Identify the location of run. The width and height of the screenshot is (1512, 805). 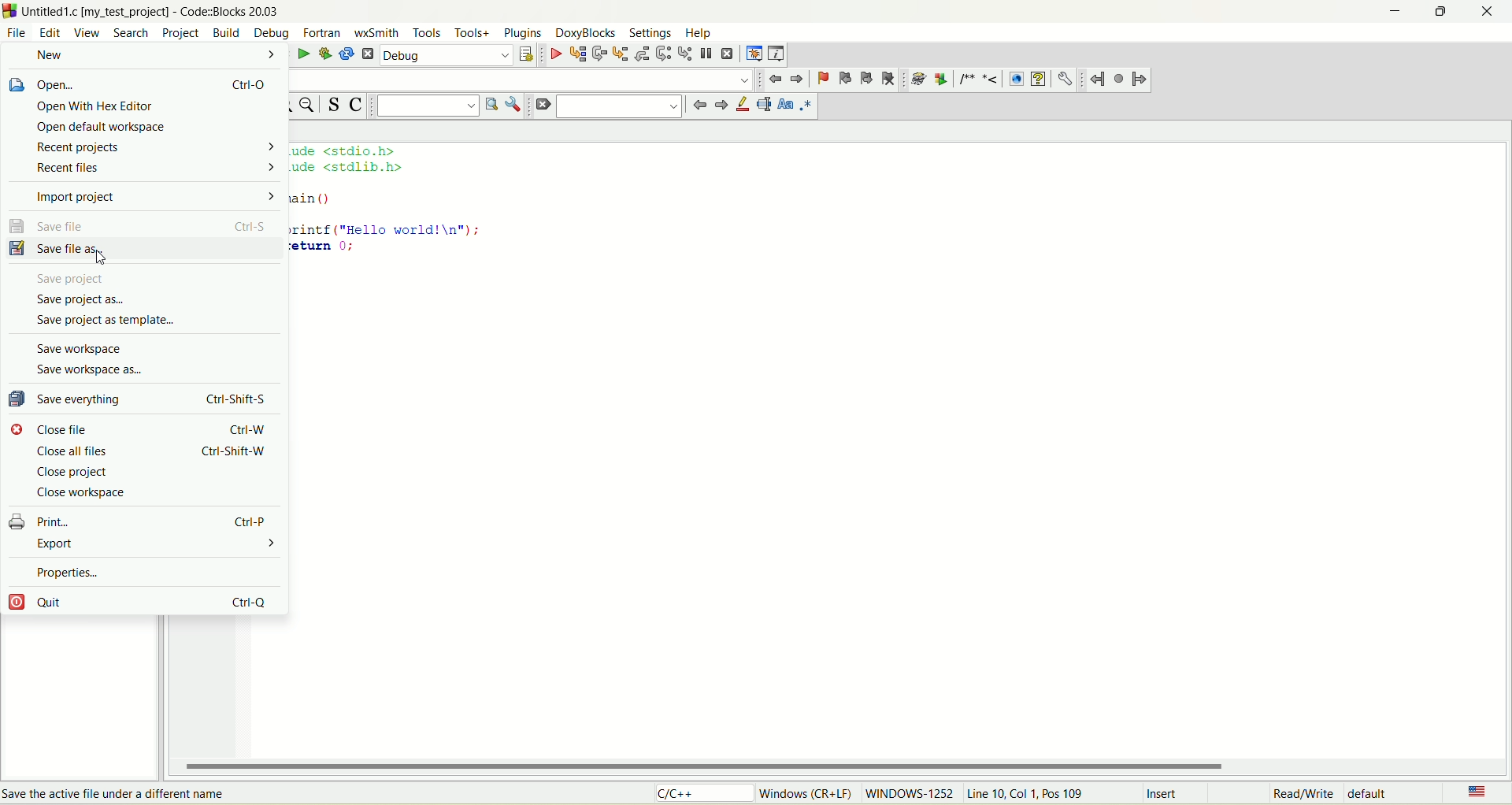
(303, 53).